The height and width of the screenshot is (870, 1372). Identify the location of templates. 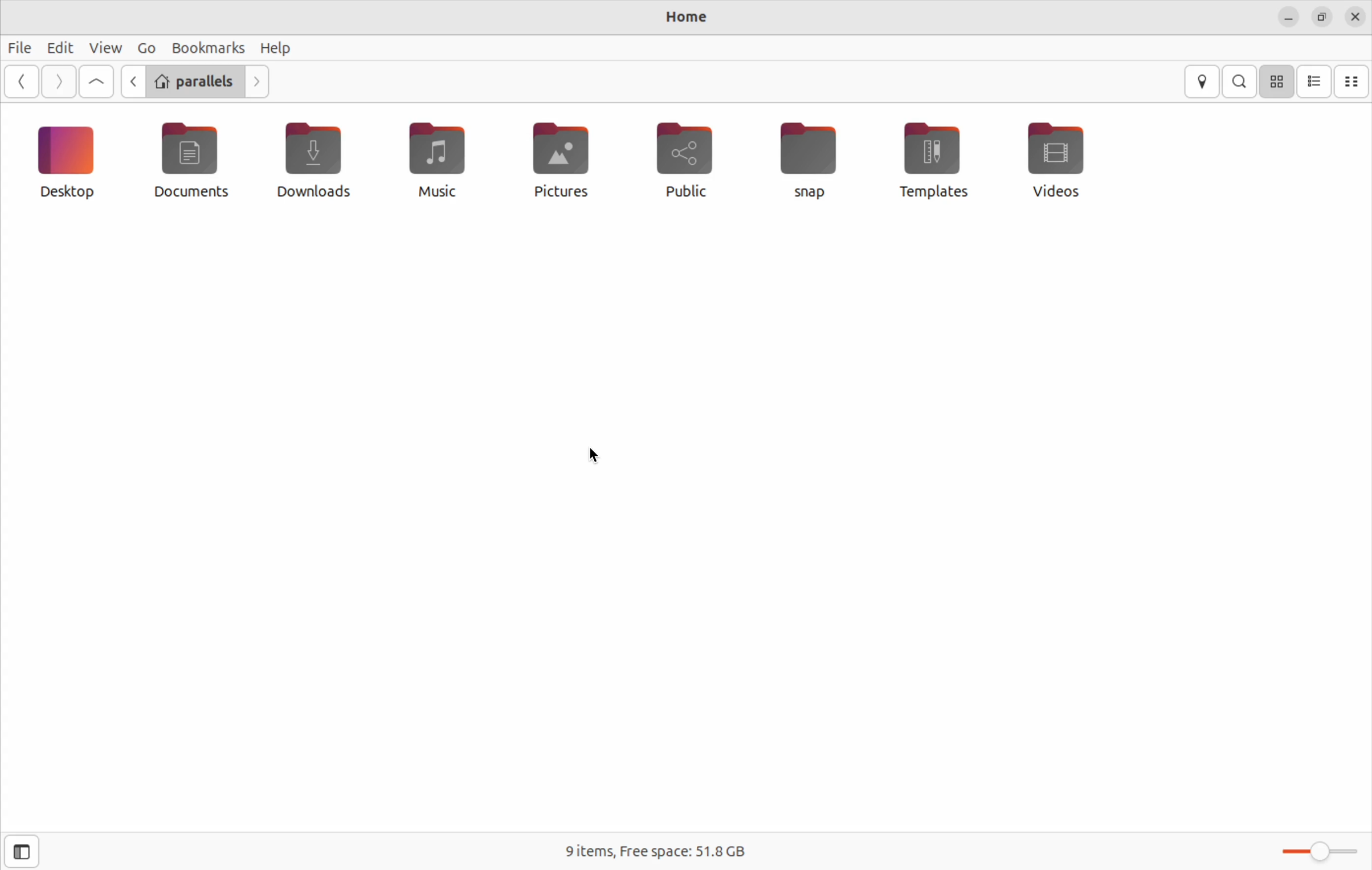
(935, 162).